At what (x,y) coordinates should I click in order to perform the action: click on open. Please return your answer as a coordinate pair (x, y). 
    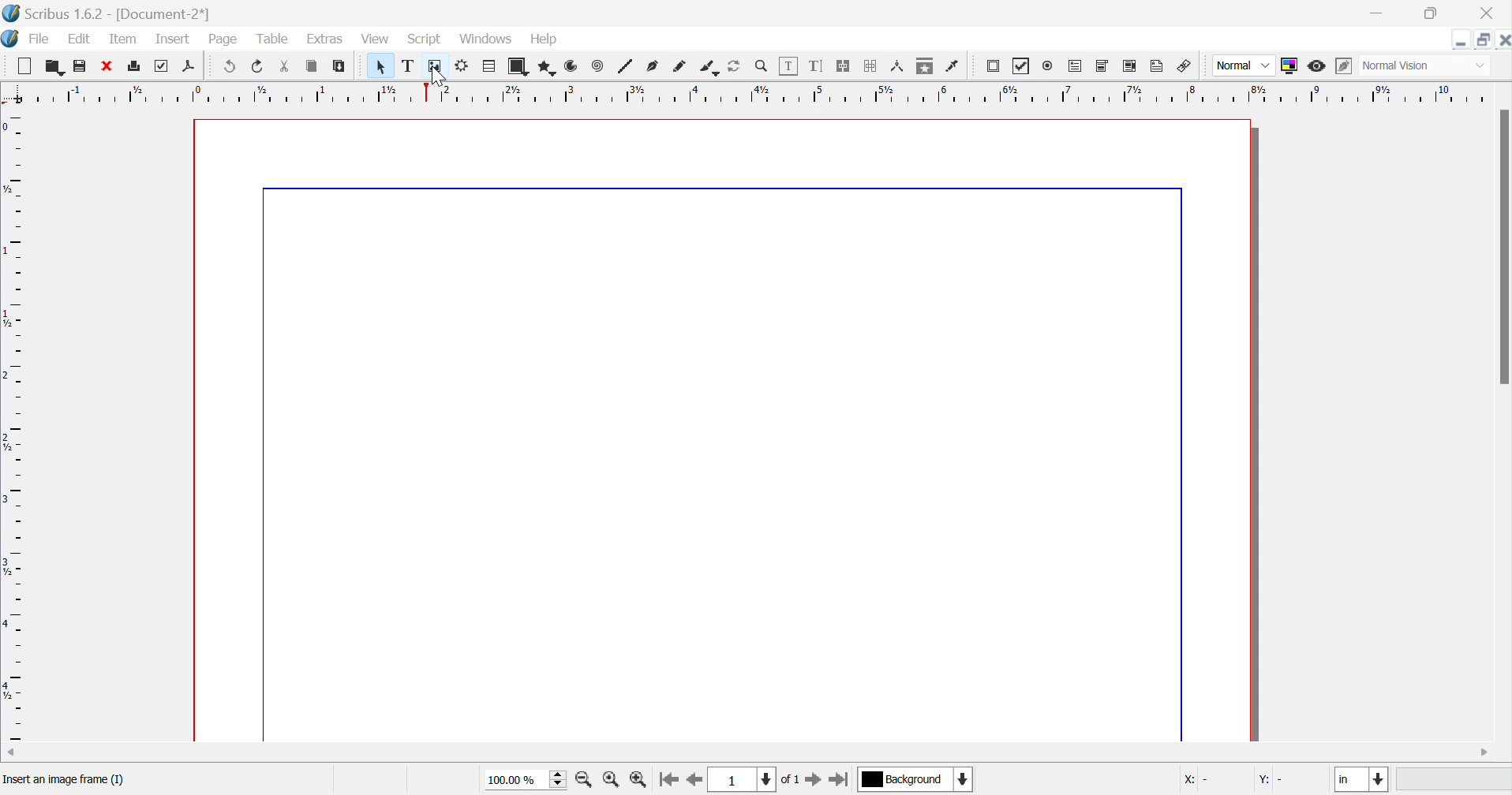
    Looking at the image, I should click on (51, 67).